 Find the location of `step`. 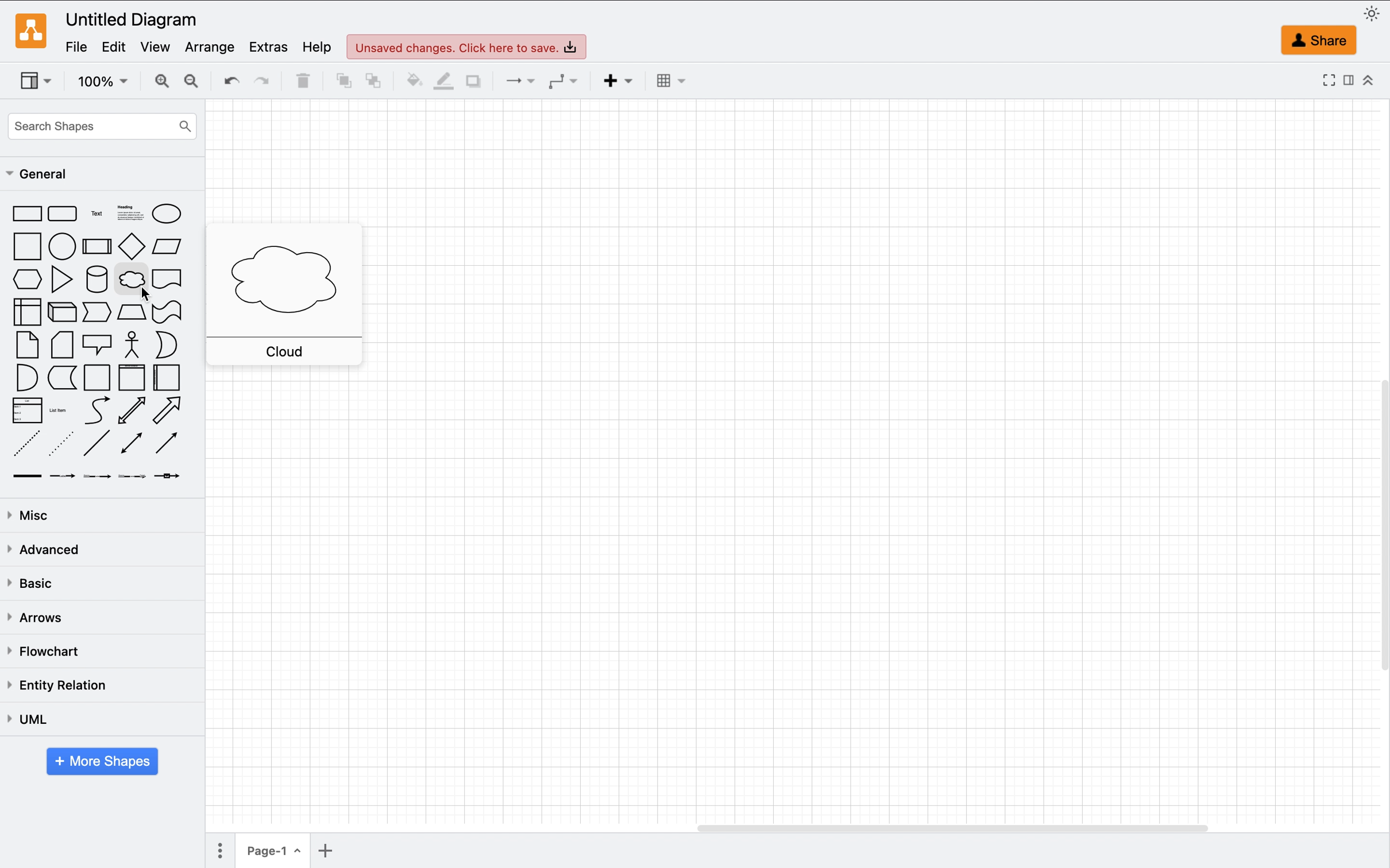

step is located at coordinates (98, 312).